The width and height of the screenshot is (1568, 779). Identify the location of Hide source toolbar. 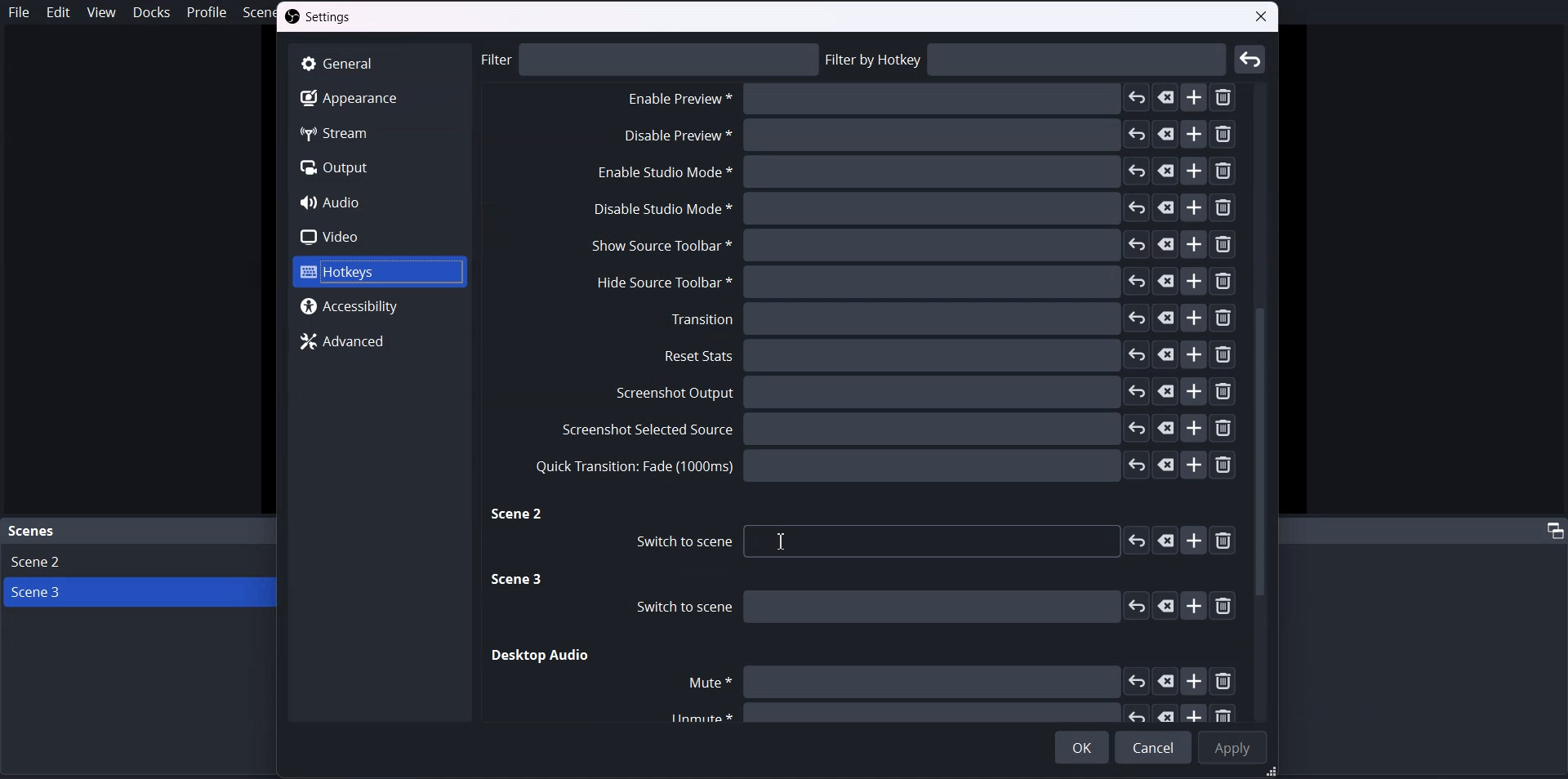
(907, 282).